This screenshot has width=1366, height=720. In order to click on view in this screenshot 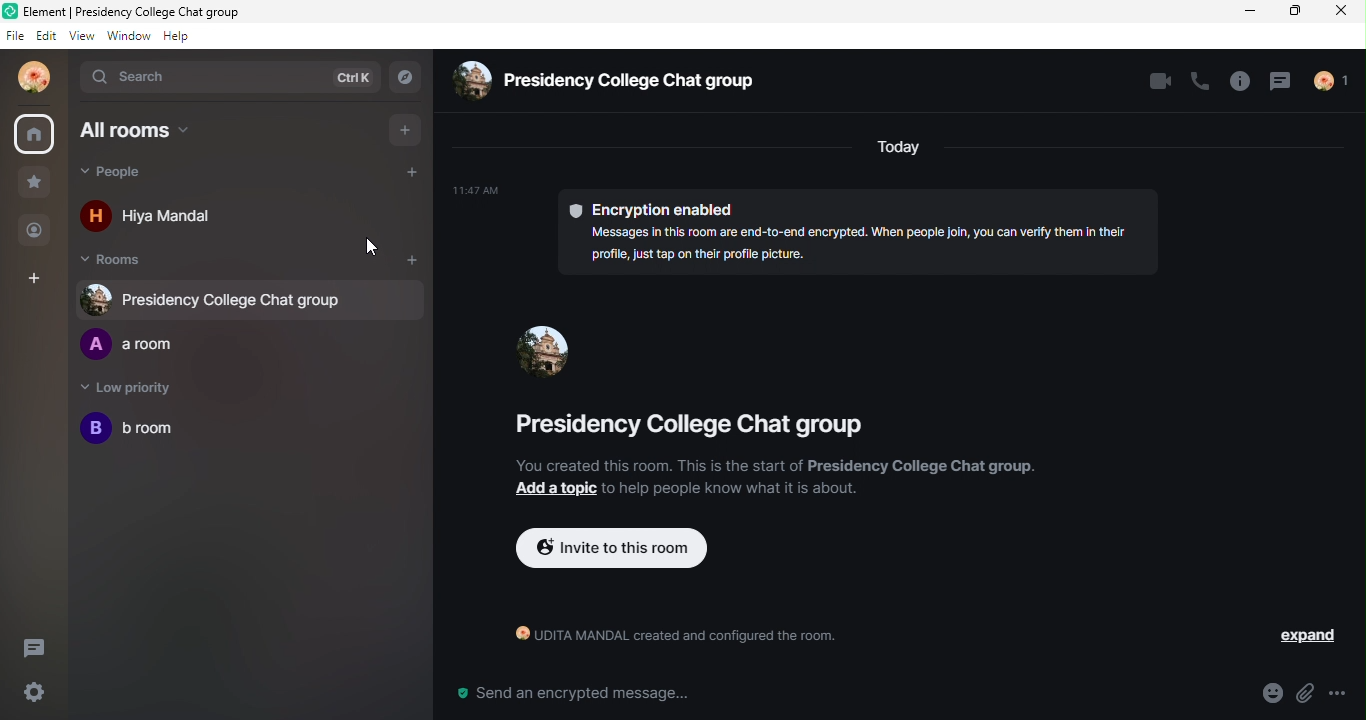, I will do `click(79, 38)`.